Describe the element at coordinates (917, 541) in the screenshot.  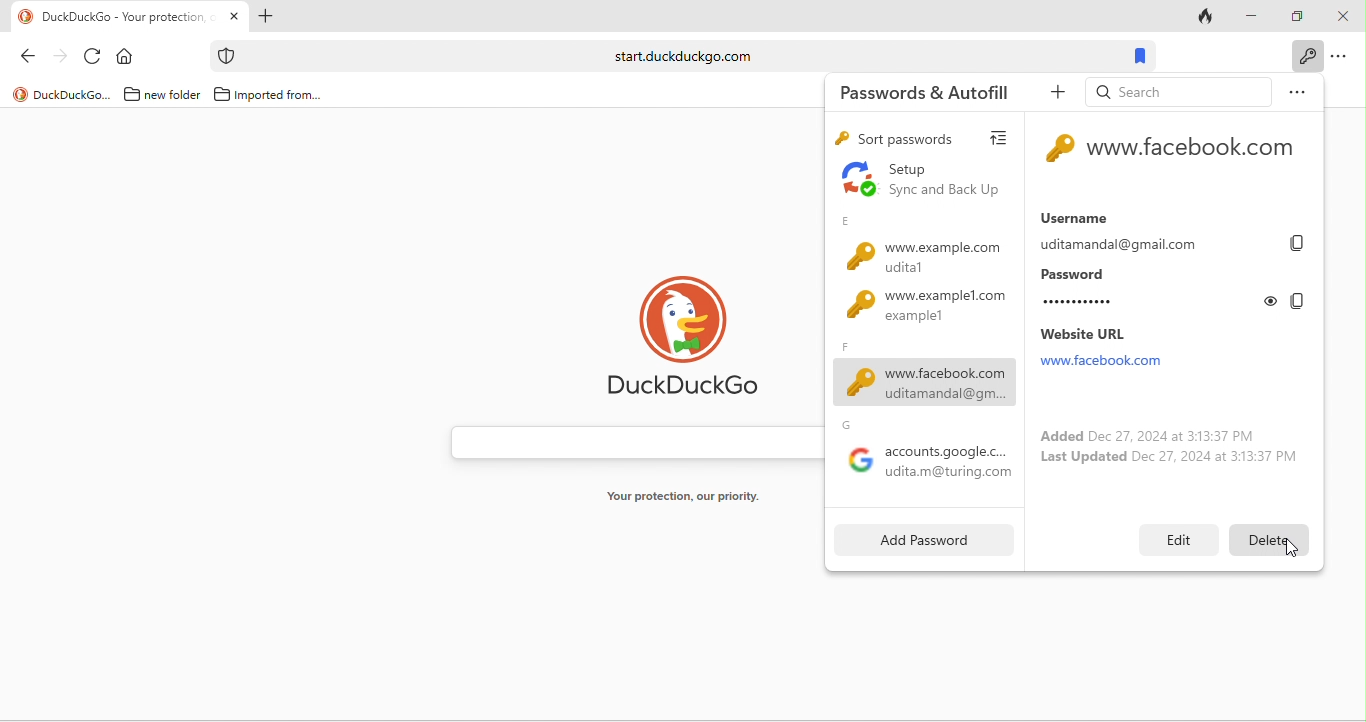
I see `add password` at that location.